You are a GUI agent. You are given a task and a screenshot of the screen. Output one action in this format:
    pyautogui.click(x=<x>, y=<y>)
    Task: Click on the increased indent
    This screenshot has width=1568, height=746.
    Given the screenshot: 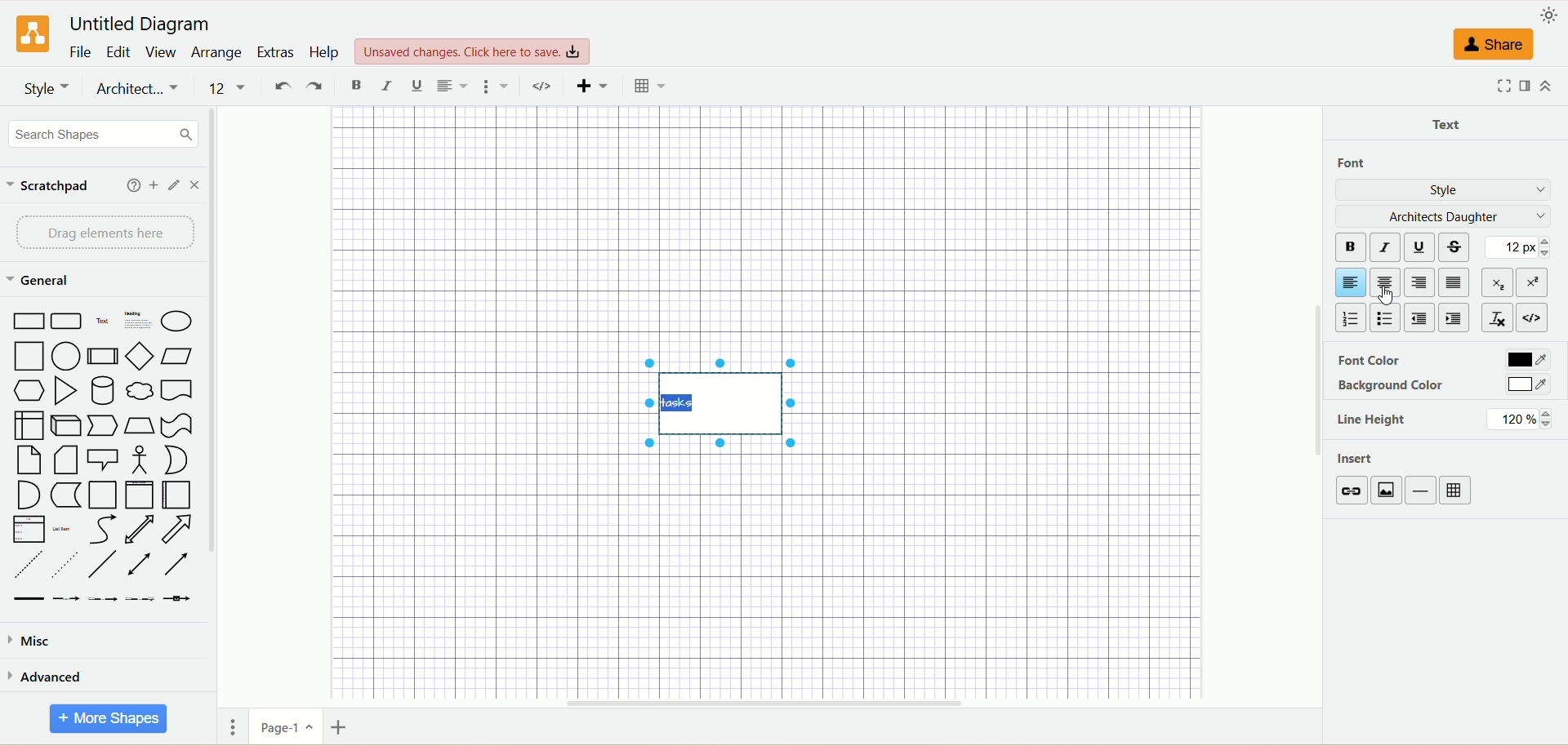 What is the action you would take?
    pyautogui.click(x=1454, y=318)
    